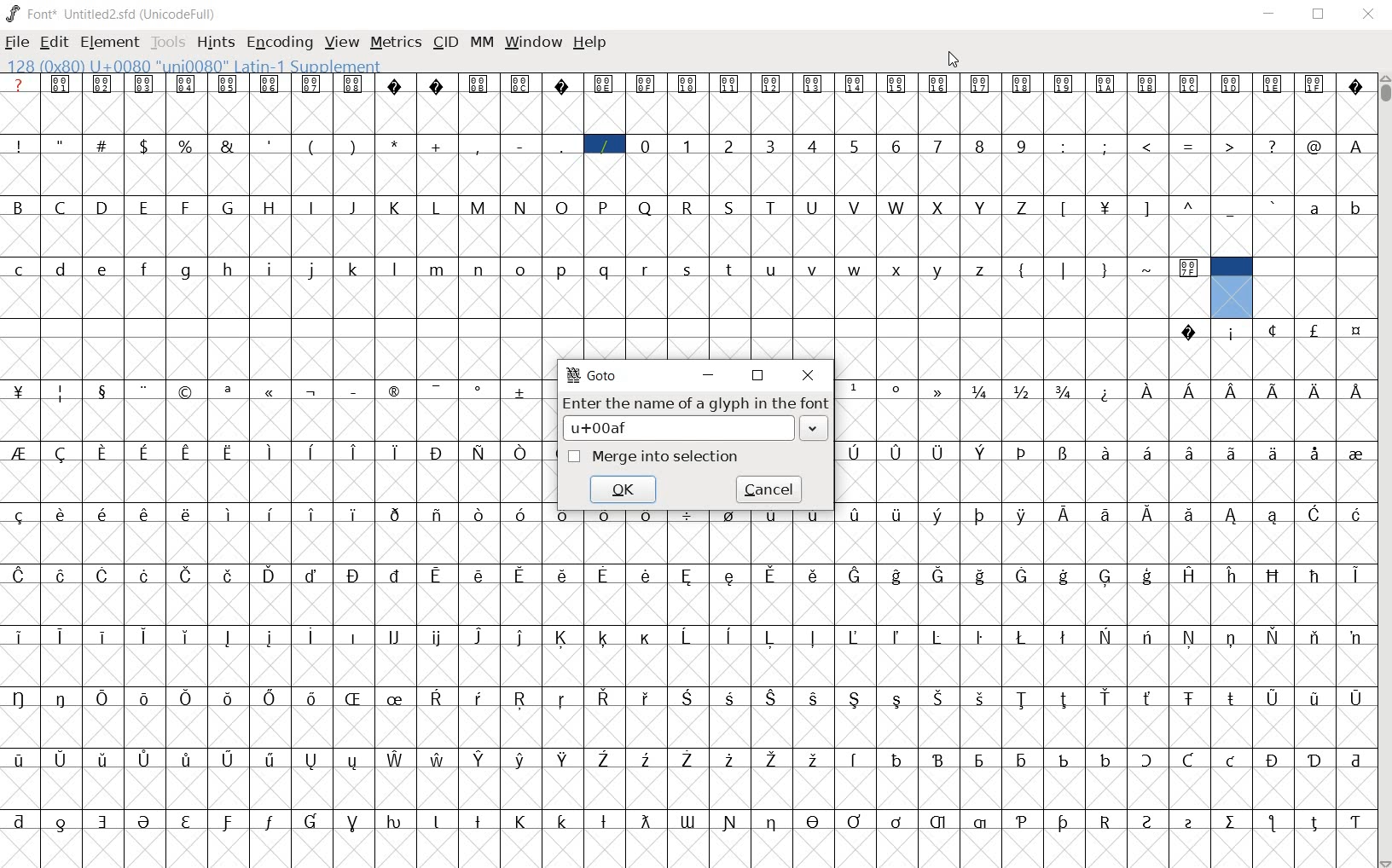 This screenshot has height=868, width=1392. I want to click on Symbol, so click(351, 84).